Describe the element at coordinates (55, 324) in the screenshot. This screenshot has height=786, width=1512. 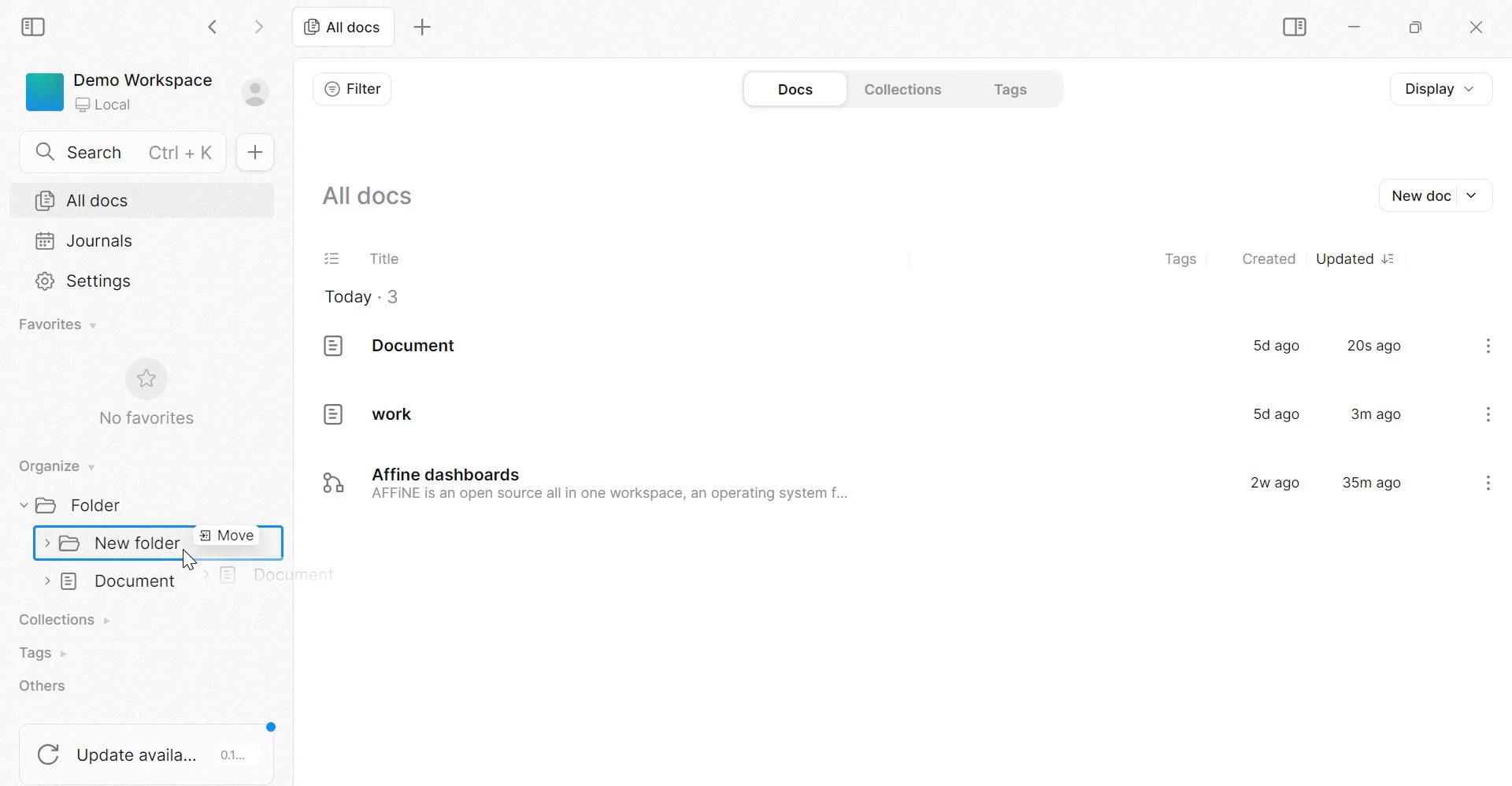
I see `Favorites` at that location.